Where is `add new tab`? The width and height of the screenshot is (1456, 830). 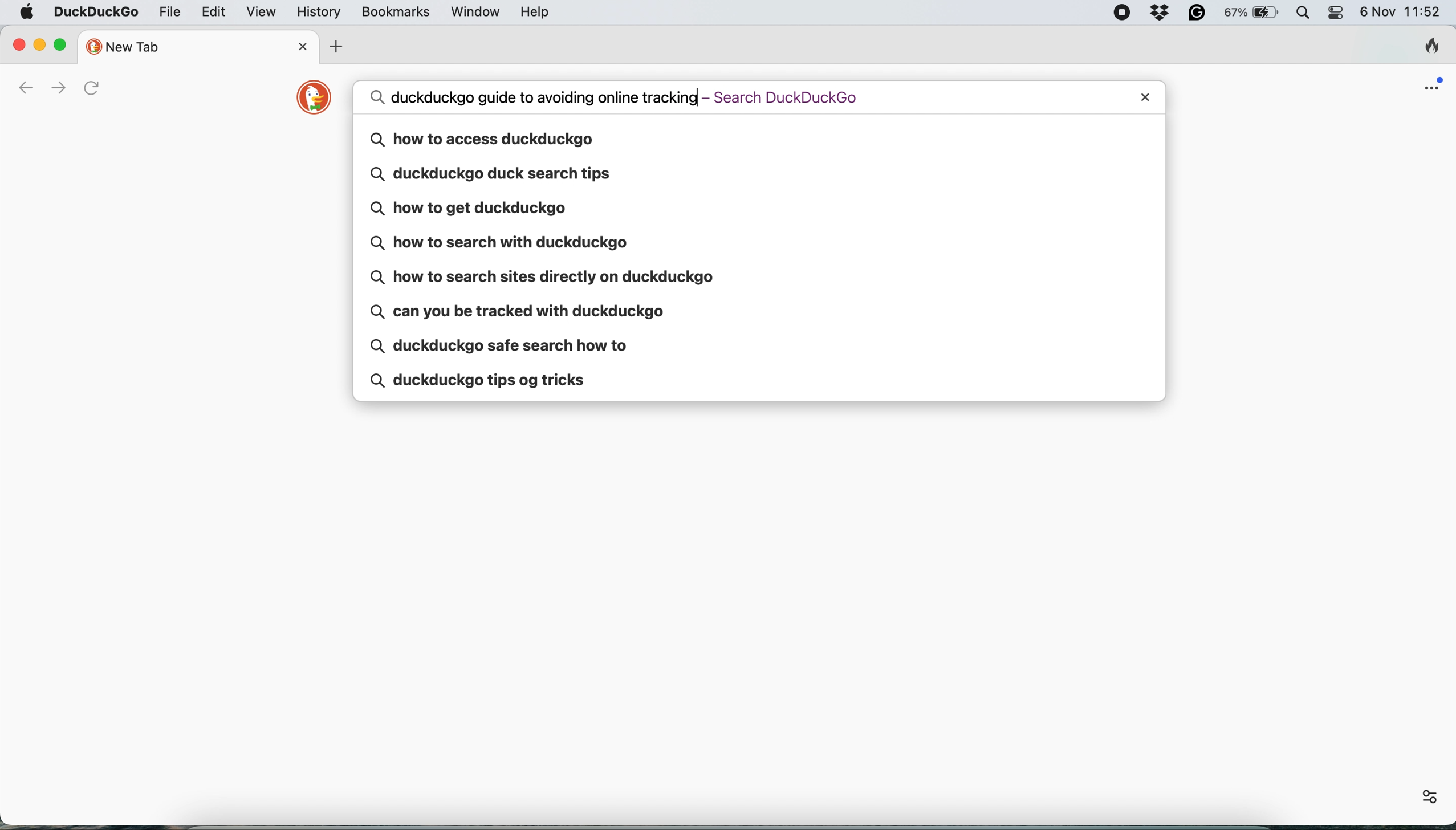 add new tab is located at coordinates (338, 46).